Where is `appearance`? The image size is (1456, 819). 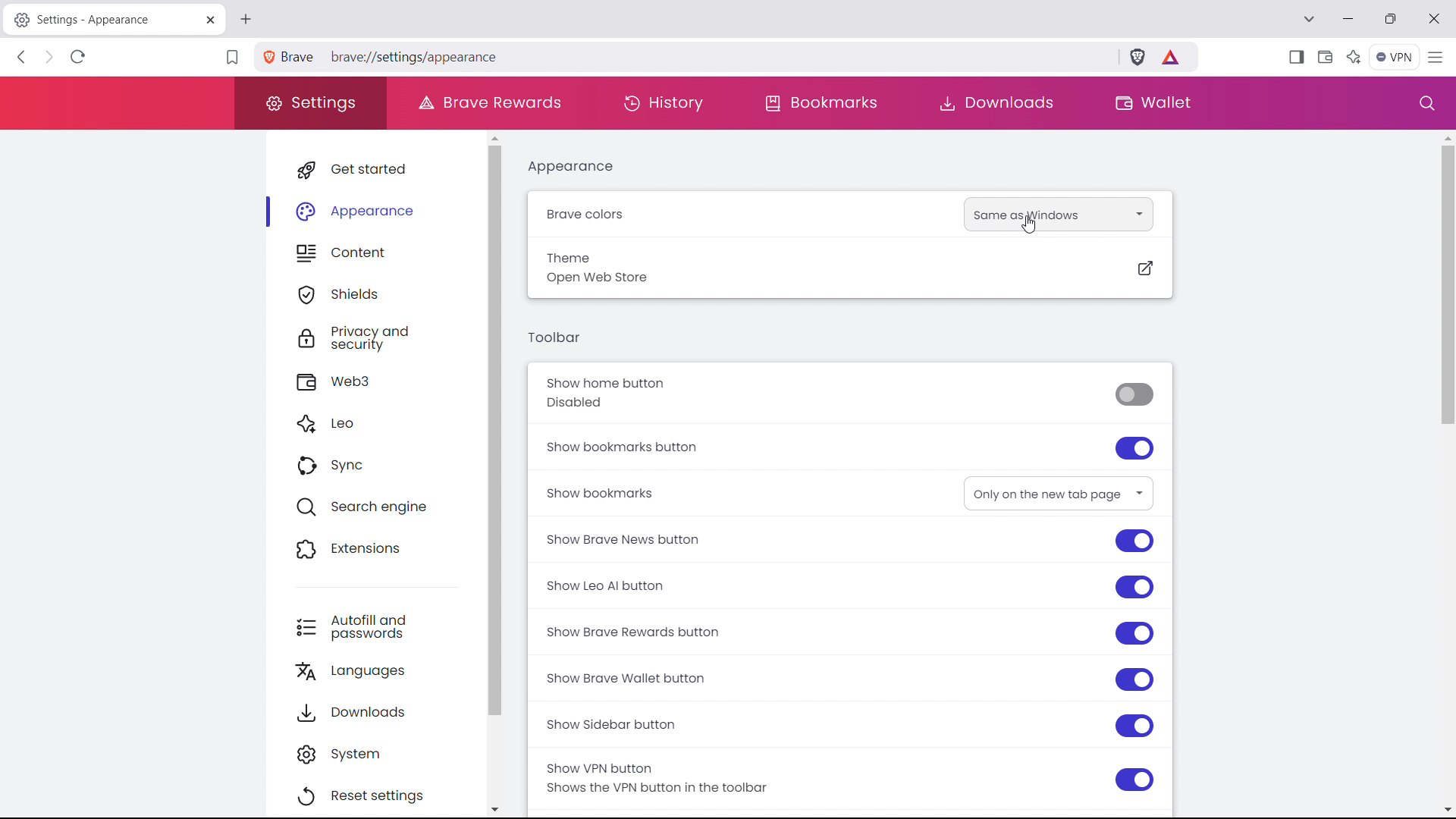 appearance is located at coordinates (384, 207).